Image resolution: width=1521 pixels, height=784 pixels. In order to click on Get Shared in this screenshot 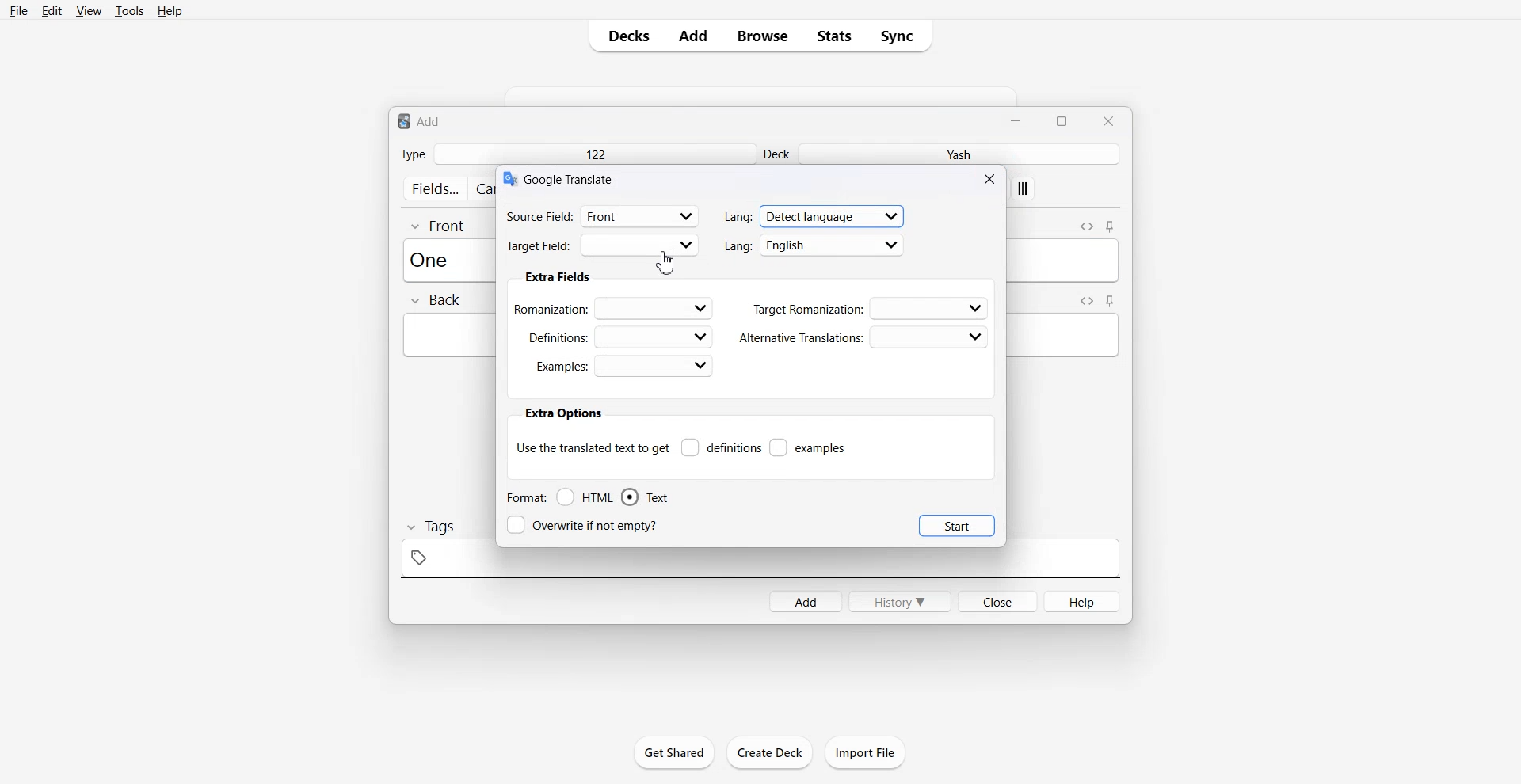, I will do `click(675, 752)`.